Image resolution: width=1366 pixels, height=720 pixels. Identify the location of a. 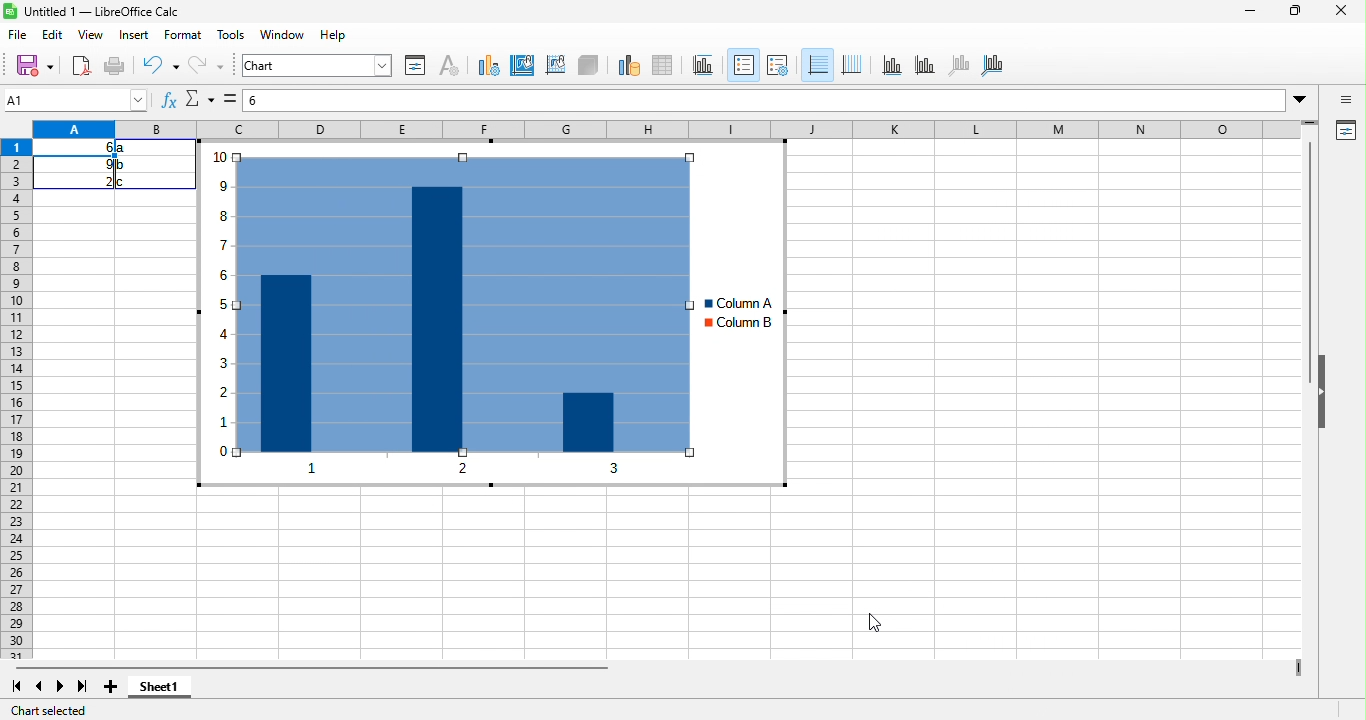
(124, 148).